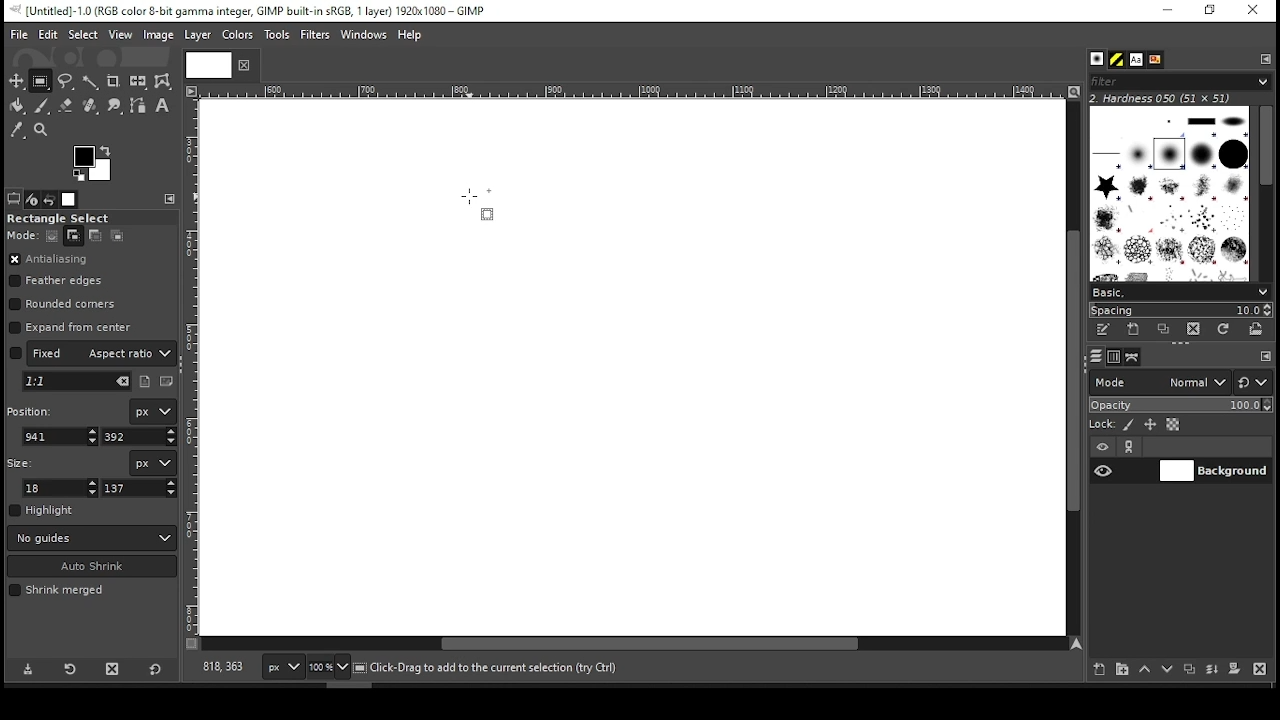 The width and height of the screenshot is (1280, 720). What do you see at coordinates (53, 236) in the screenshot?
I see `replace current selection` at bounding box center [53, 236].